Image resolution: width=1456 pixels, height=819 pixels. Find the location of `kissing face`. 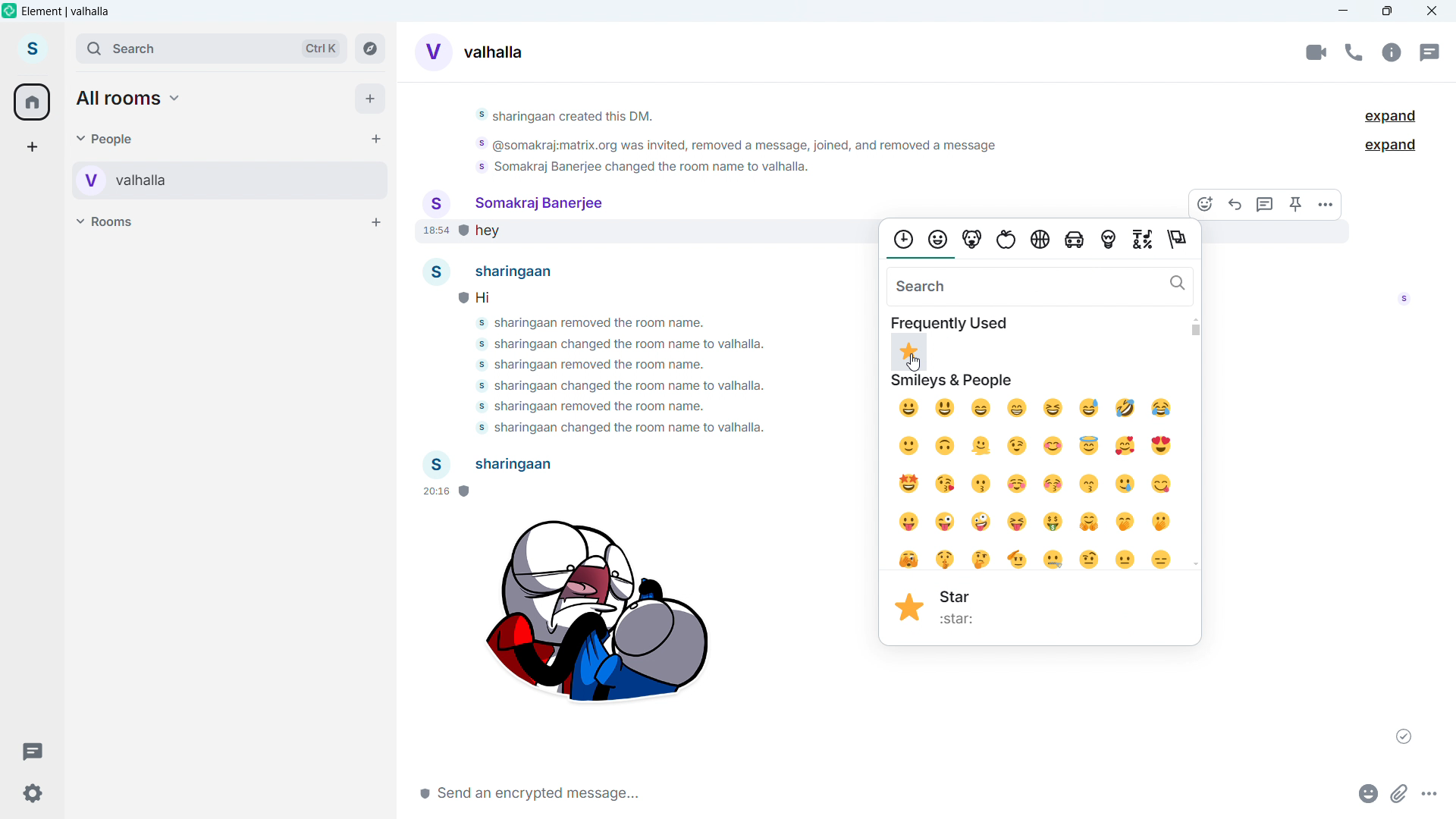

kissing face is located at coordinates (984, 483).